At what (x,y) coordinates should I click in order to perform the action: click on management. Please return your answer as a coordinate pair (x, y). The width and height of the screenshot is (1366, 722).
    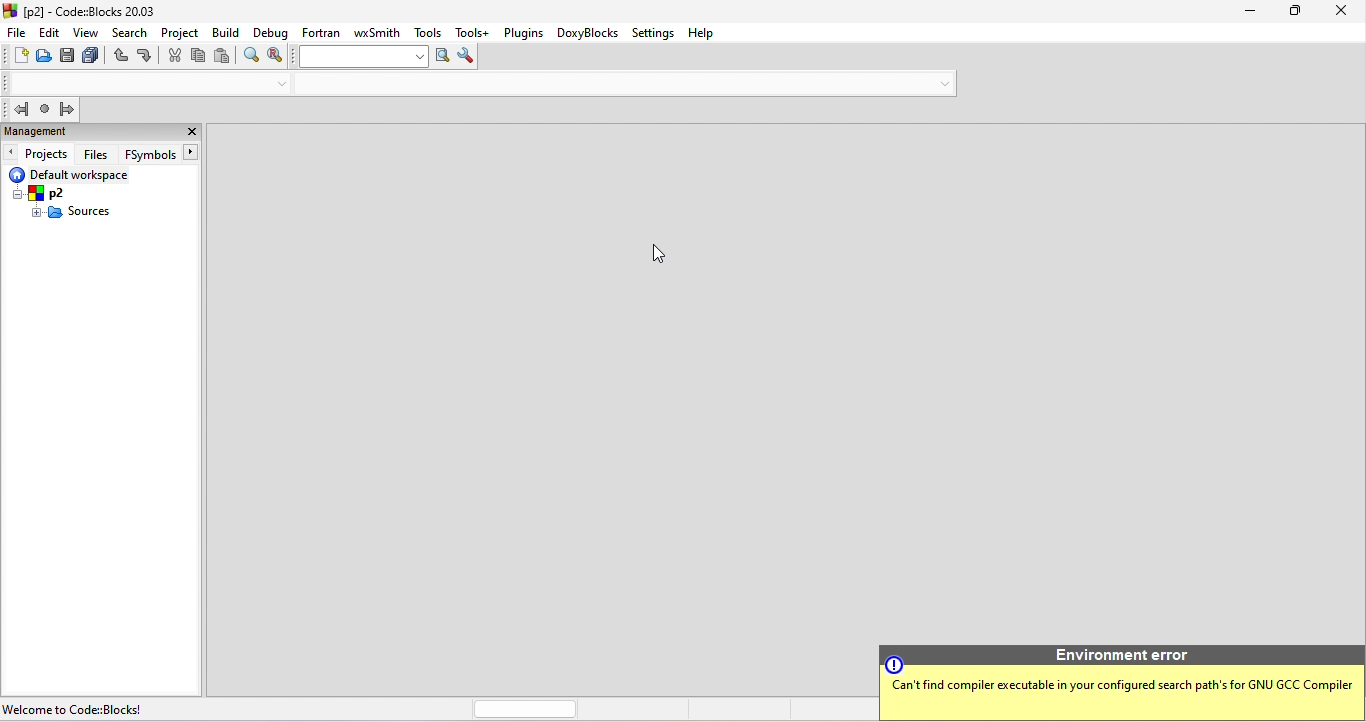
    Looking at the image, I should click on (83, 132).